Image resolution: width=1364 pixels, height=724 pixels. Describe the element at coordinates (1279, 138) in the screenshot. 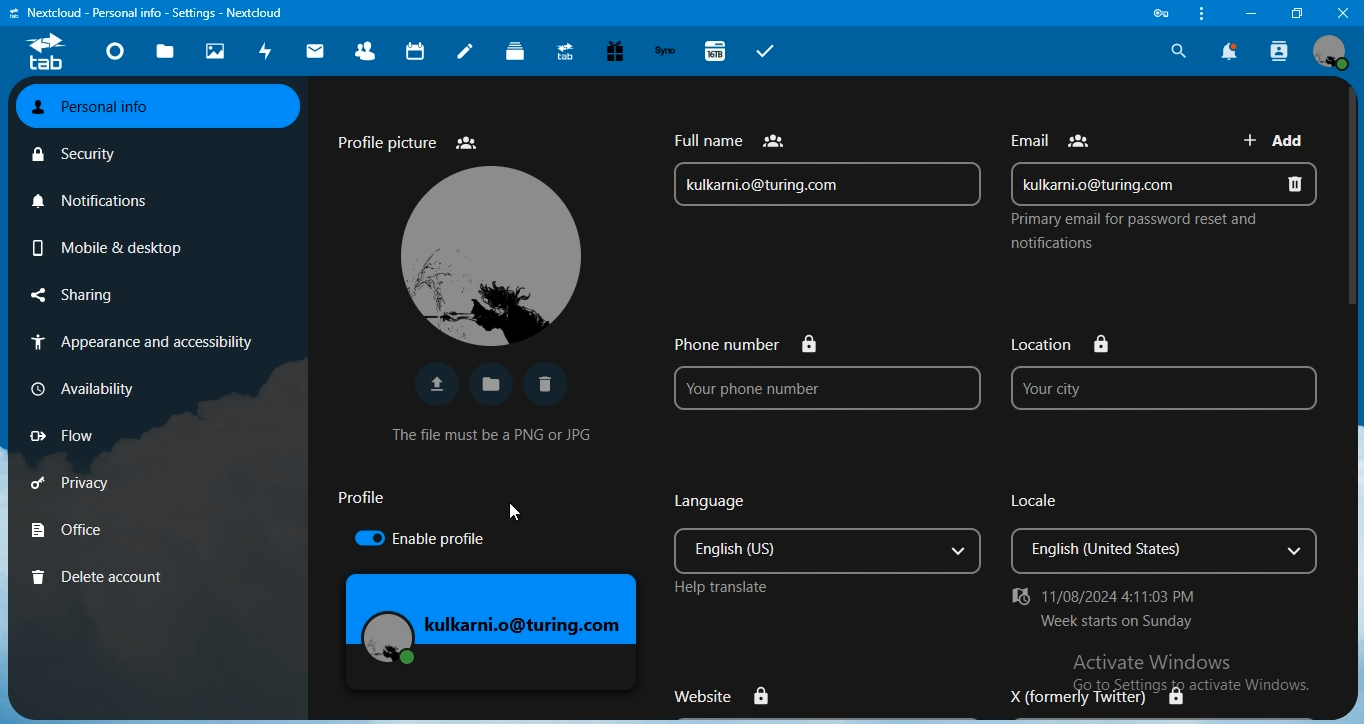

I see `add` at that location.